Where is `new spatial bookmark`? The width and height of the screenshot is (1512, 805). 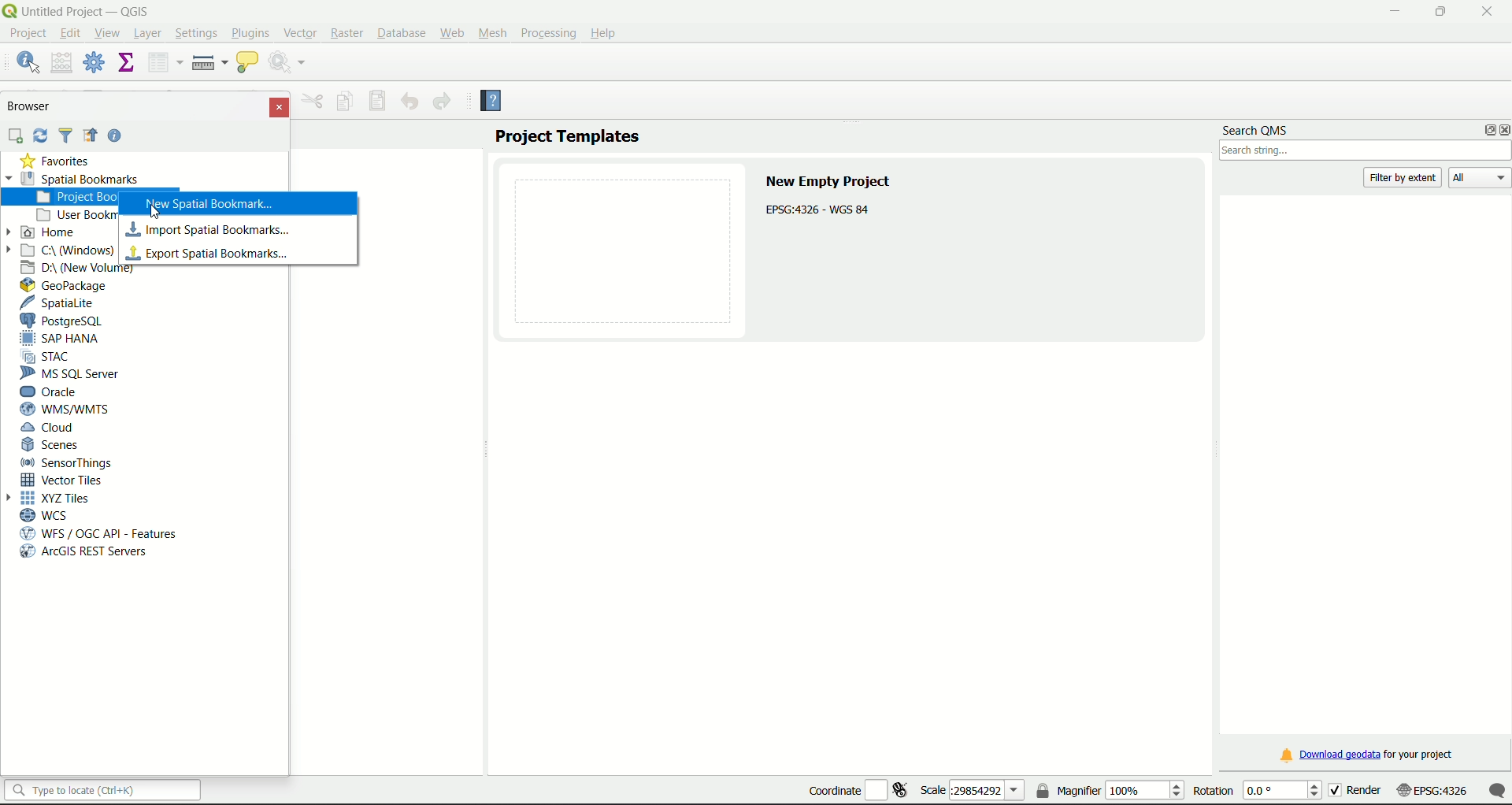
new spatial bookmark is located at coordinates (212, 204).